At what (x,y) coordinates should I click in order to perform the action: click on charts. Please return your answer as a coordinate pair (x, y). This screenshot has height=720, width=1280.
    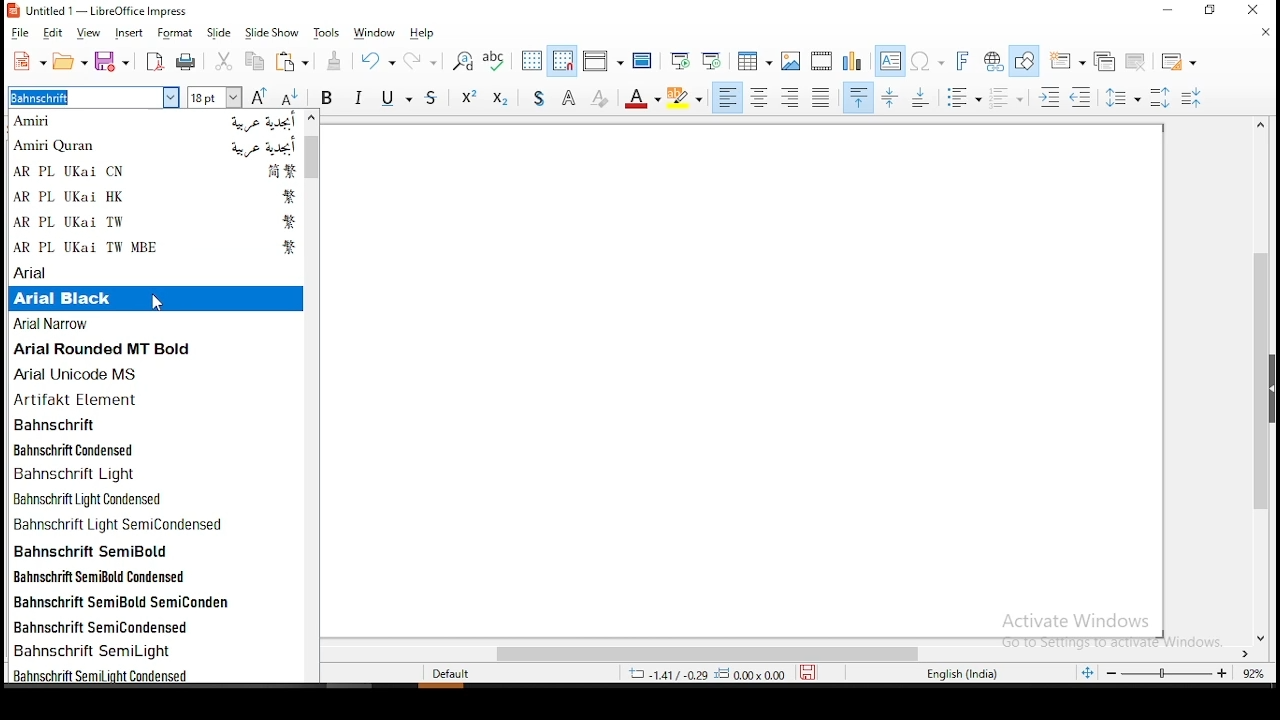
    Looking at the image, I should click on (852, 61).